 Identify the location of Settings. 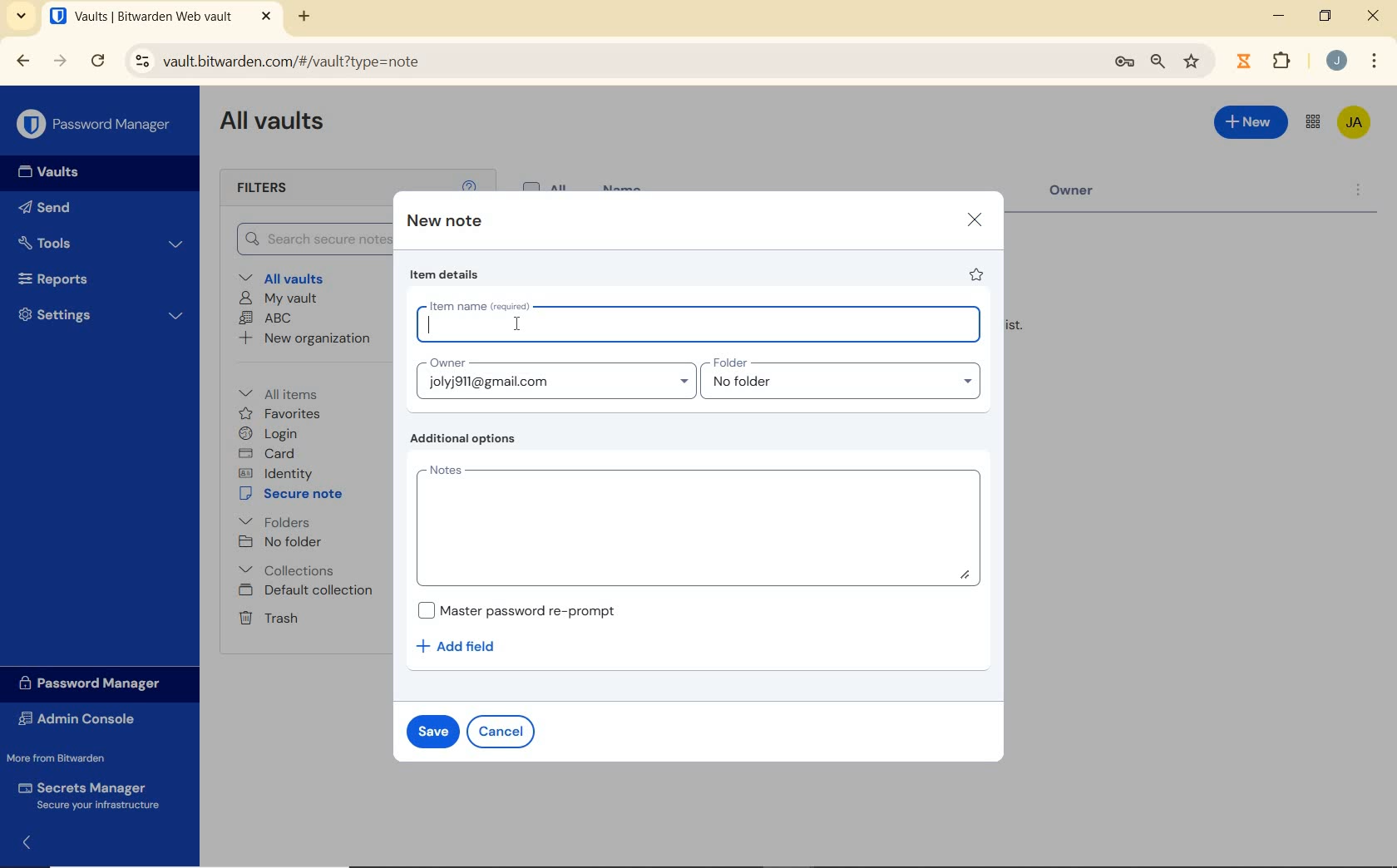
(99, 314).